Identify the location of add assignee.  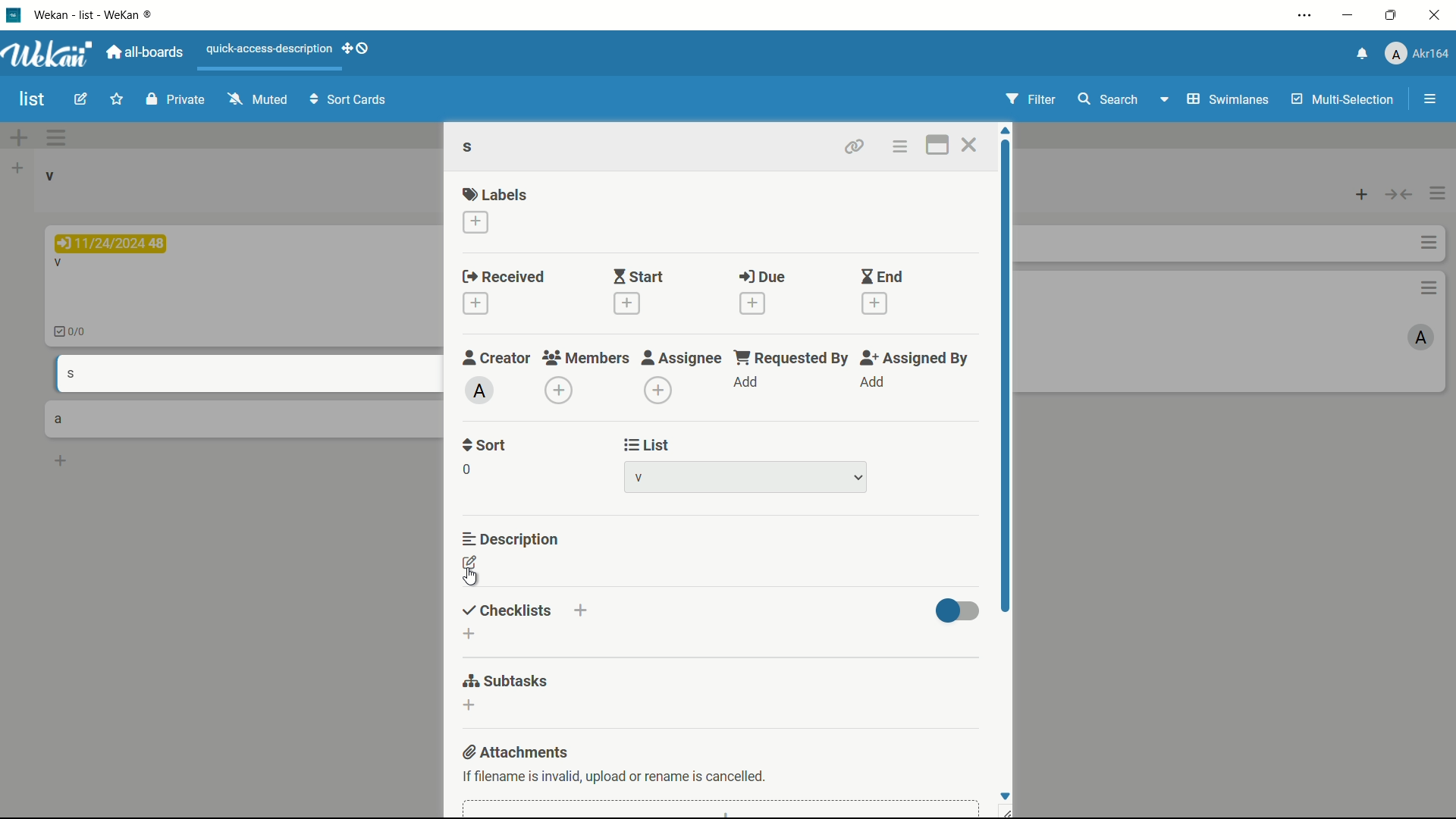
(658, 391).